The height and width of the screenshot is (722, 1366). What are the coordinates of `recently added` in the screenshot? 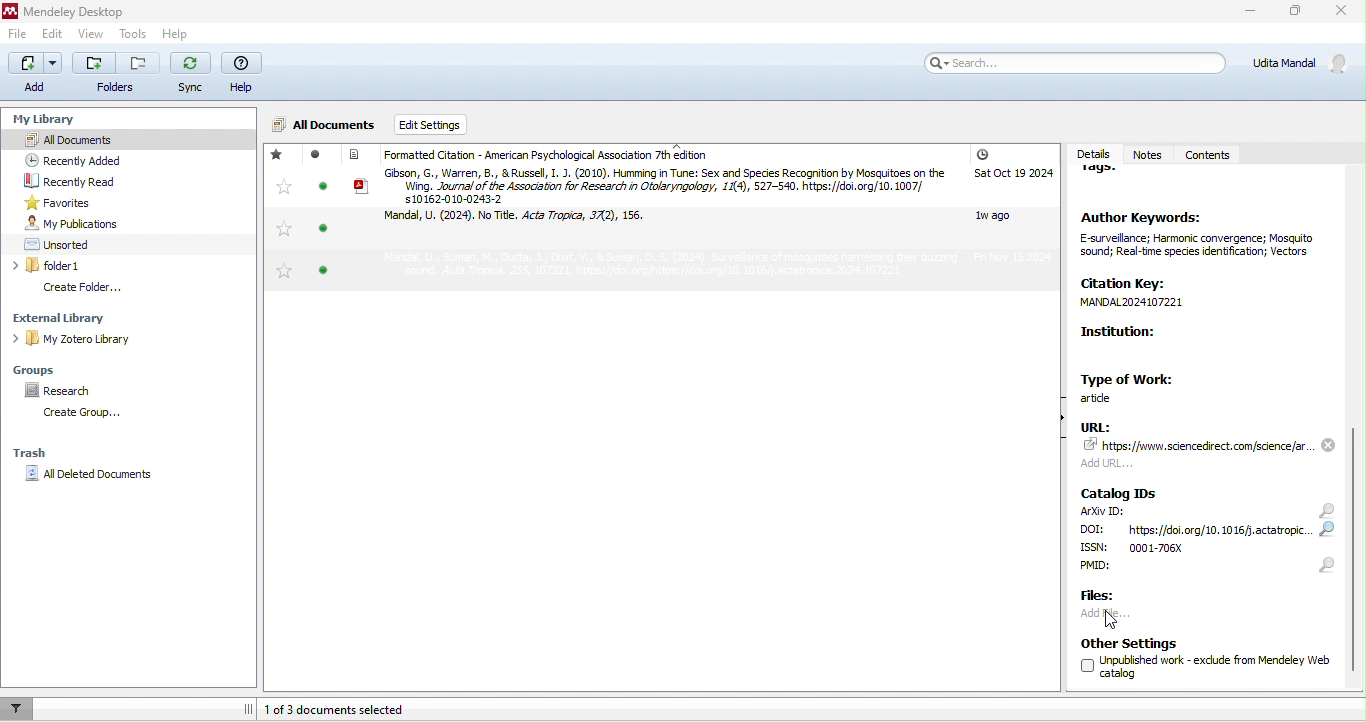 It's located at (94, 160).